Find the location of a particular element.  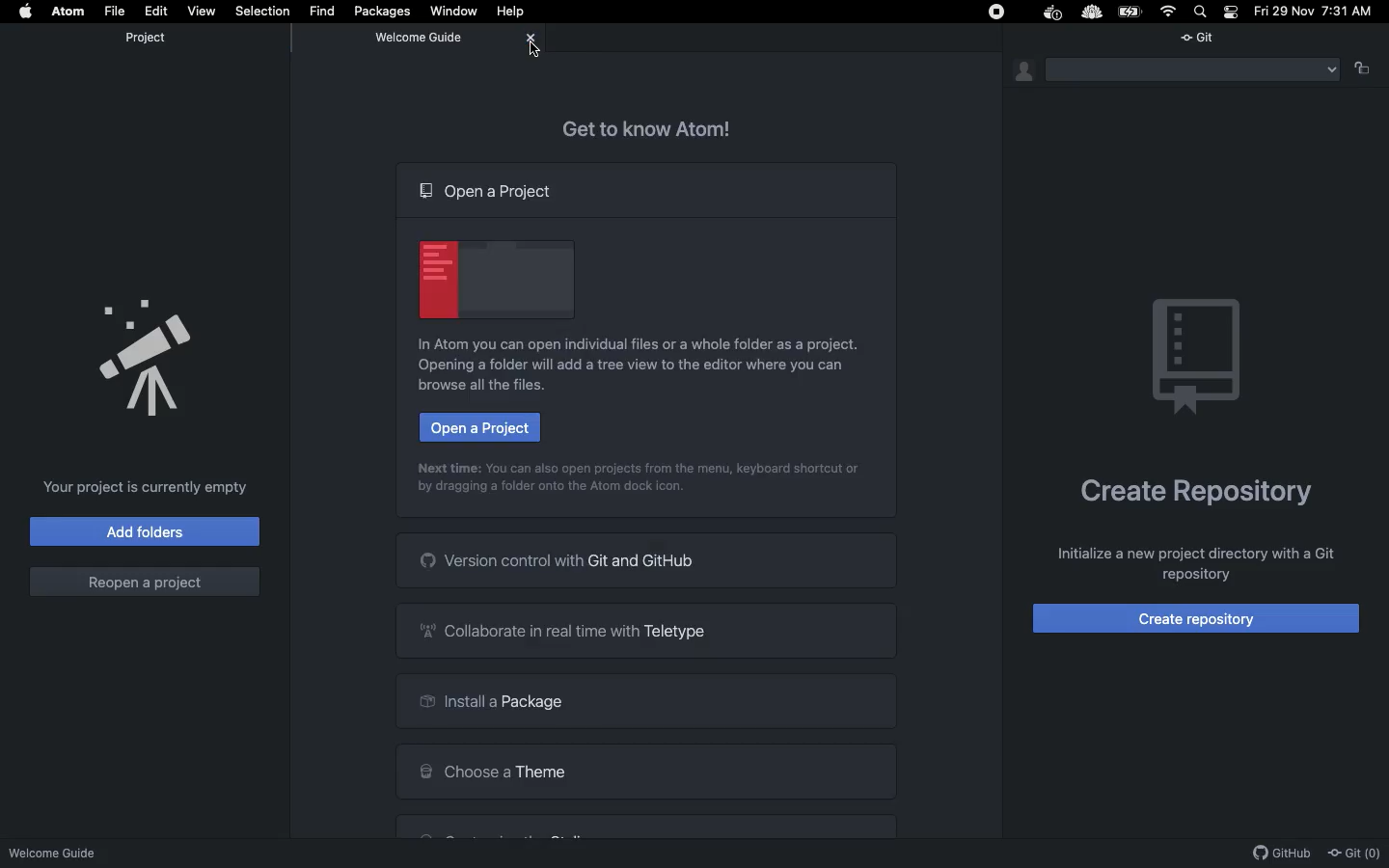

GitHub is located at coordinates (1284, 854).